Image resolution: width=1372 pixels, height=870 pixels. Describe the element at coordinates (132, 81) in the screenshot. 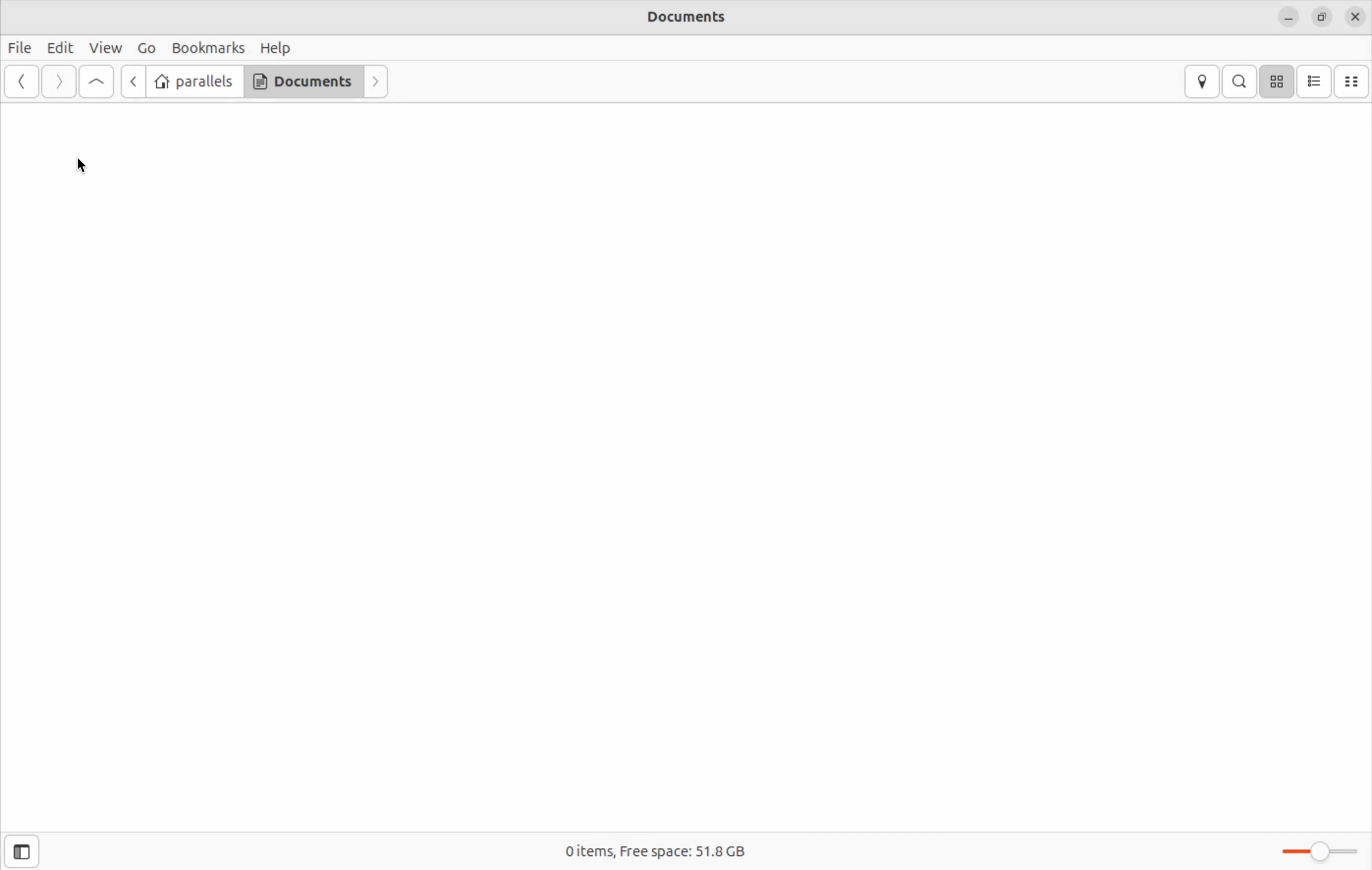

I see `back` at that location.